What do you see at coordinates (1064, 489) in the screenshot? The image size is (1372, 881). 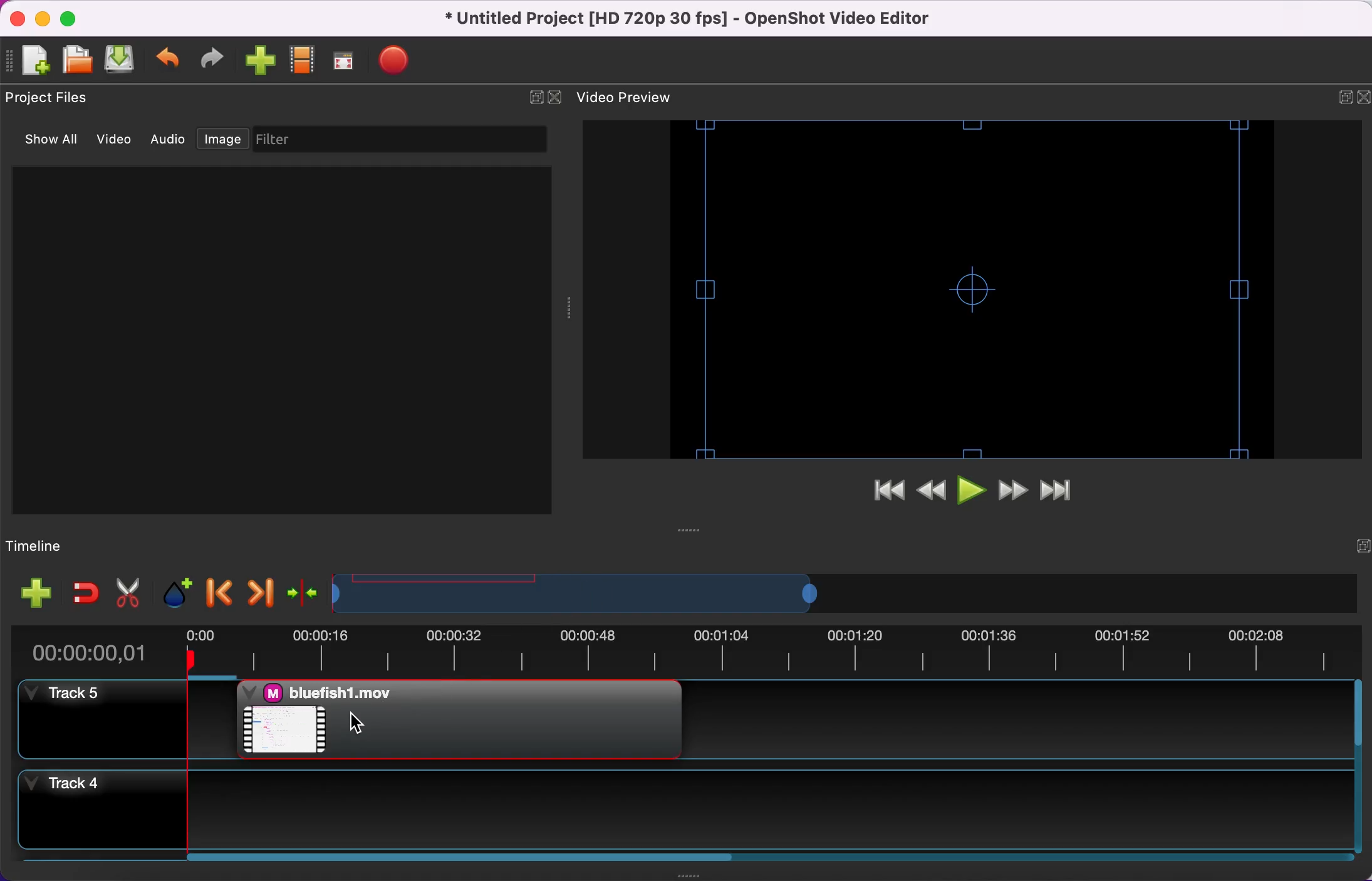 I see `jump to end` at bounding box center [1064, 489].